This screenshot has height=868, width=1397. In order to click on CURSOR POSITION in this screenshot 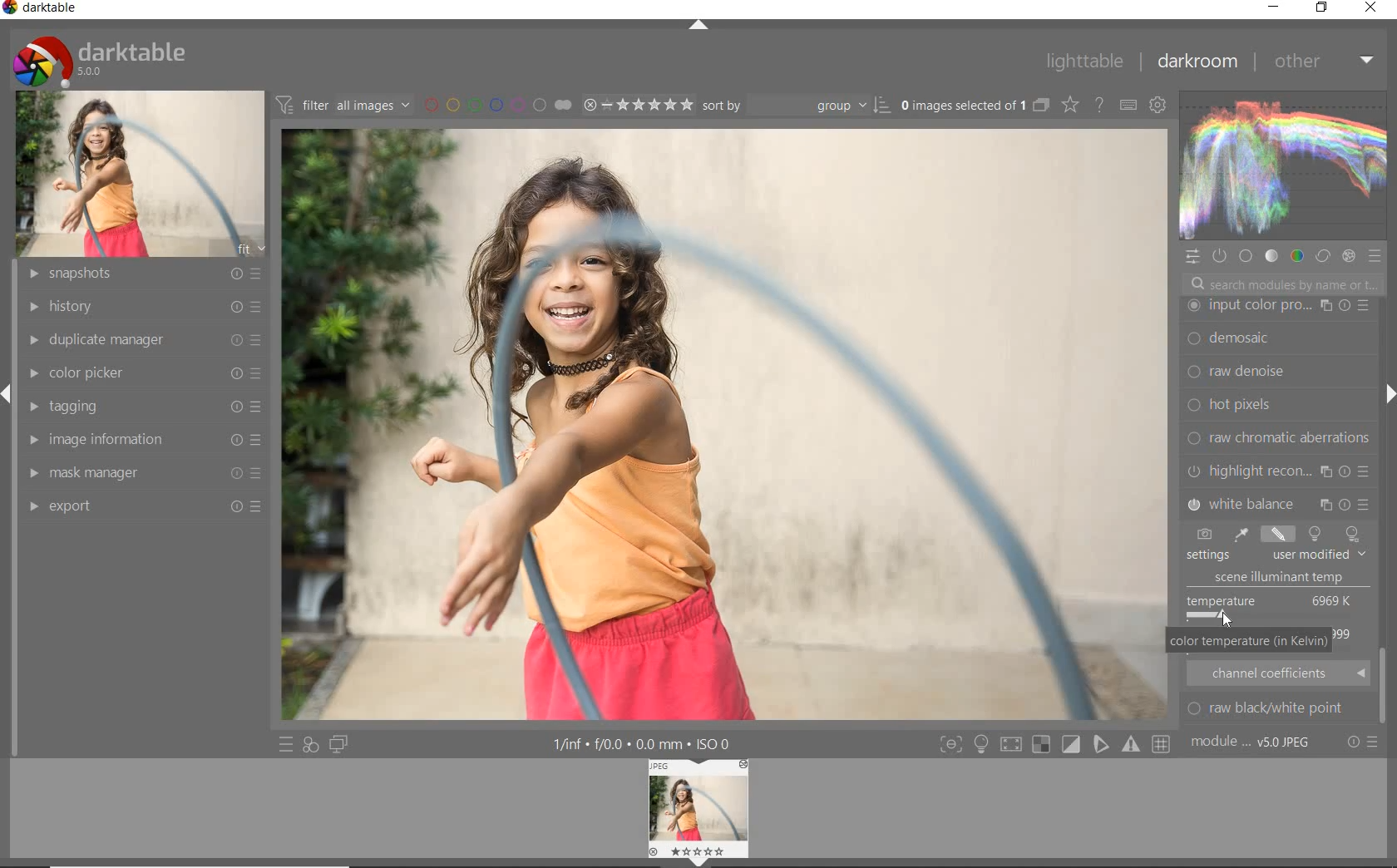, I will do `click(1224, 616)`.